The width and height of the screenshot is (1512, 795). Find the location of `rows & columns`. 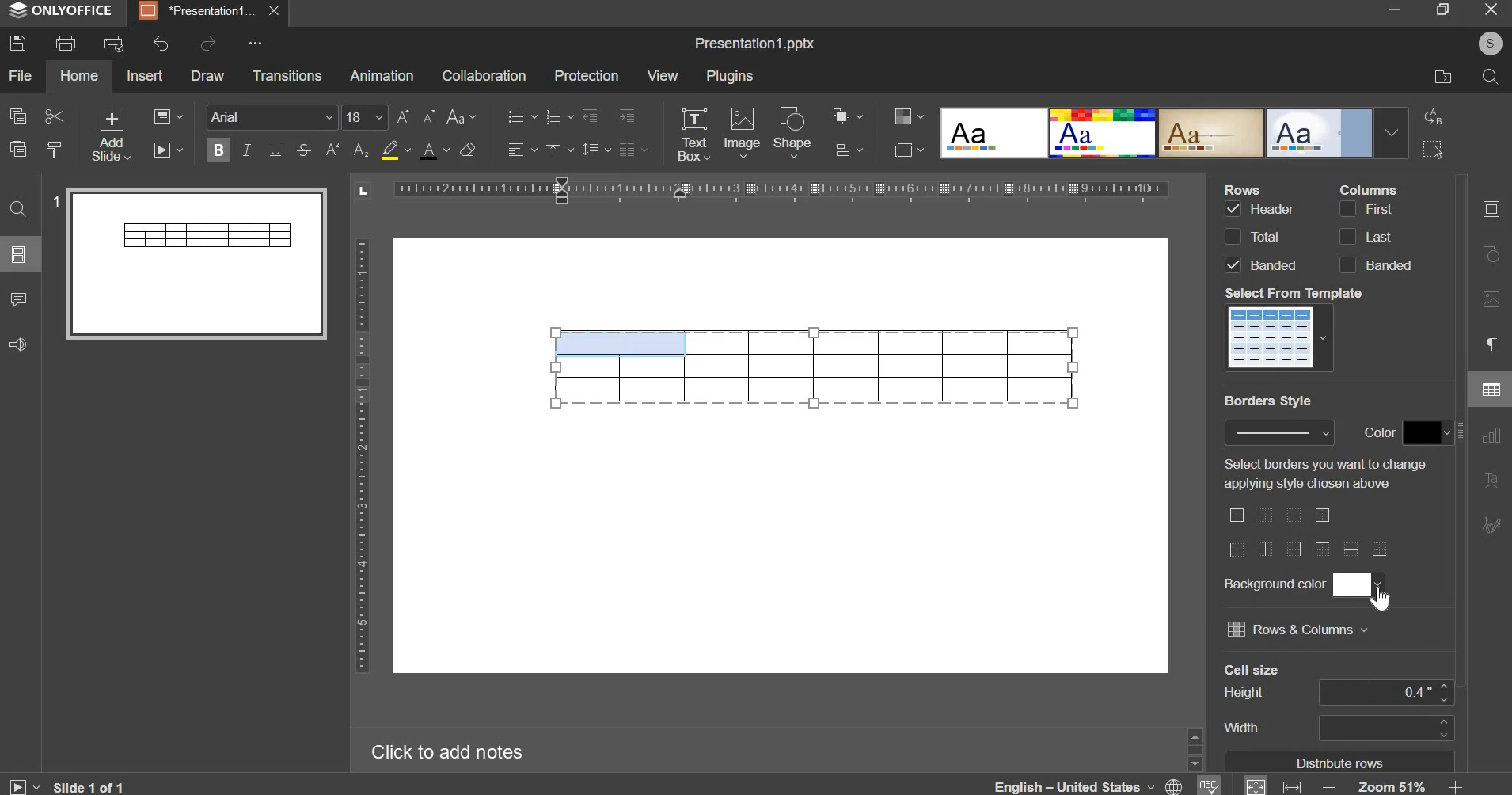

rows & columns is located at coordinates (1297, 629).